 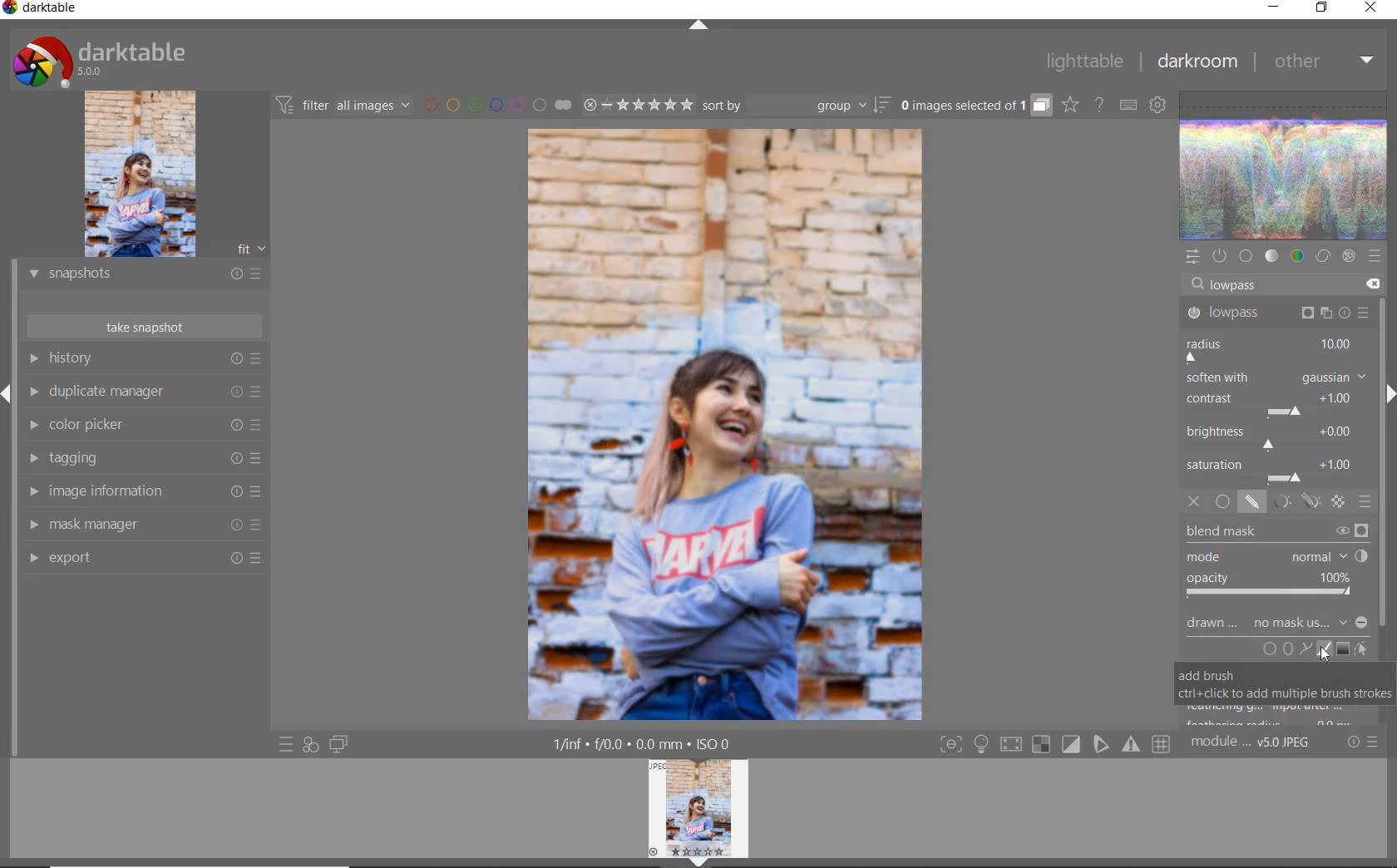 I want to click on filter all images by module order, so click(x=344, y=106).